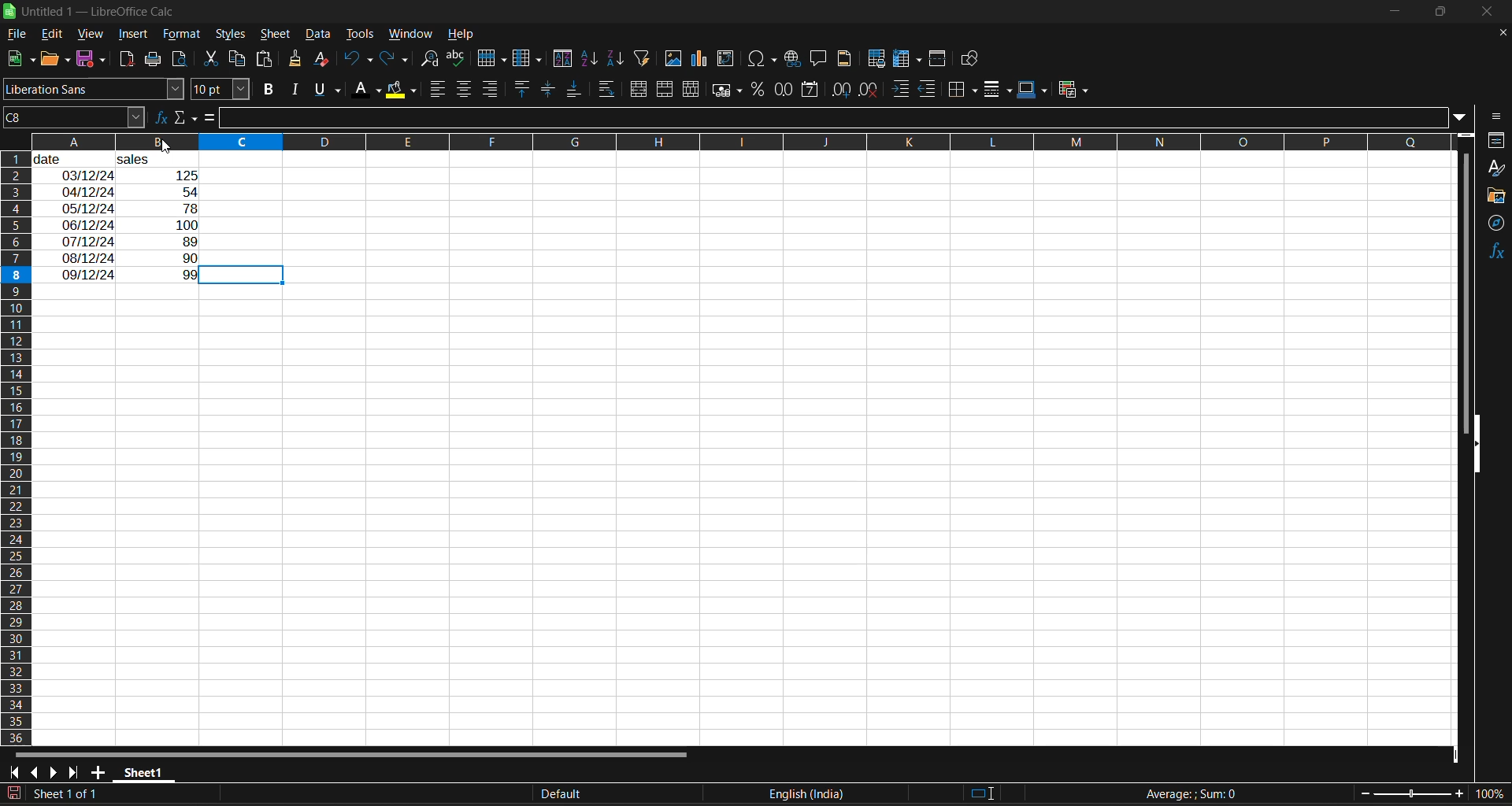  What do you see at coordinates (1444, 15) in the screenshot?
I see `maximize` at bounding box center [1444, 15].